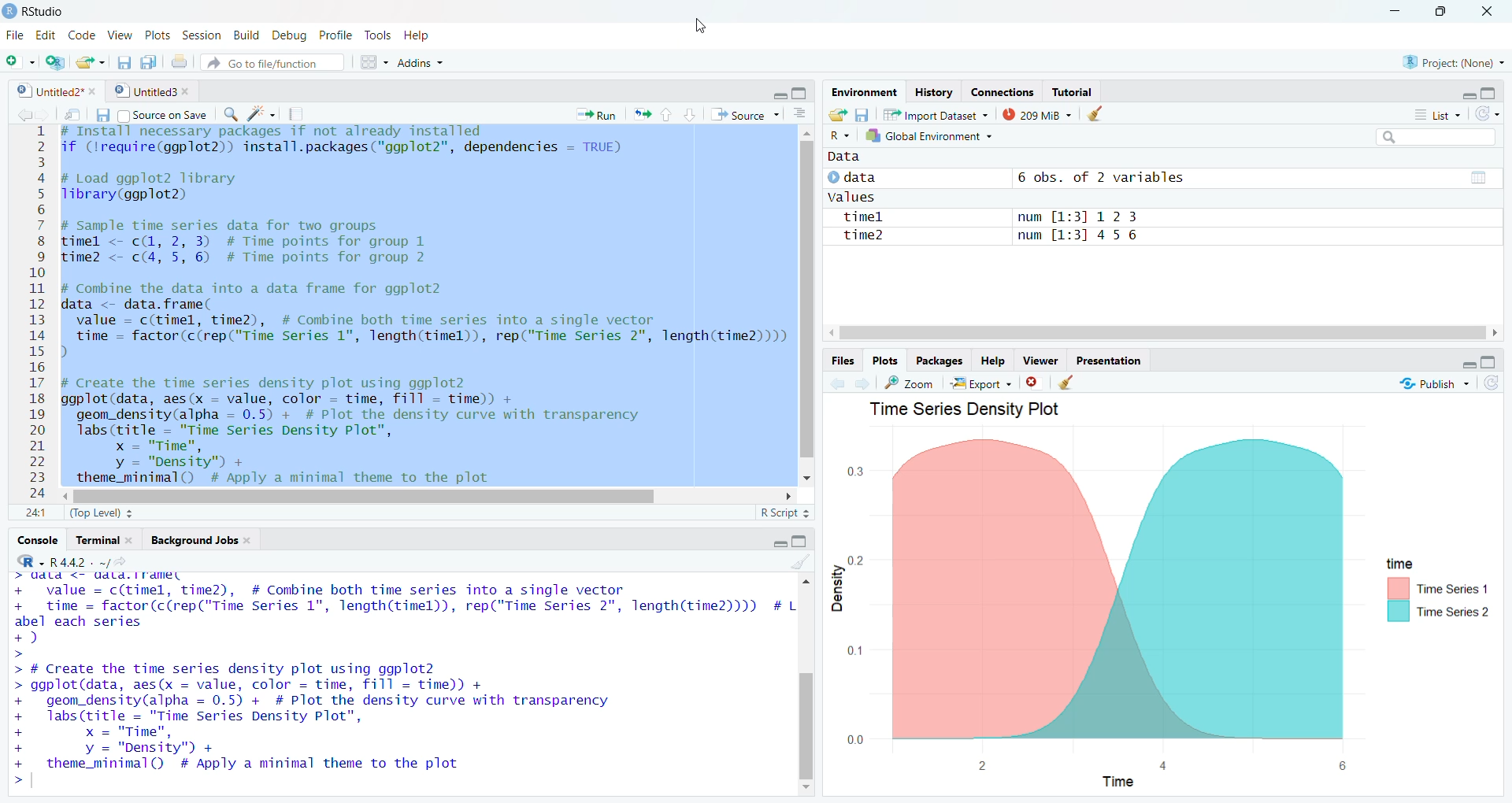 Image resolution: width=1512 pixels, height=803 pixels. I want to click on Untitled2, so click(55, 91).